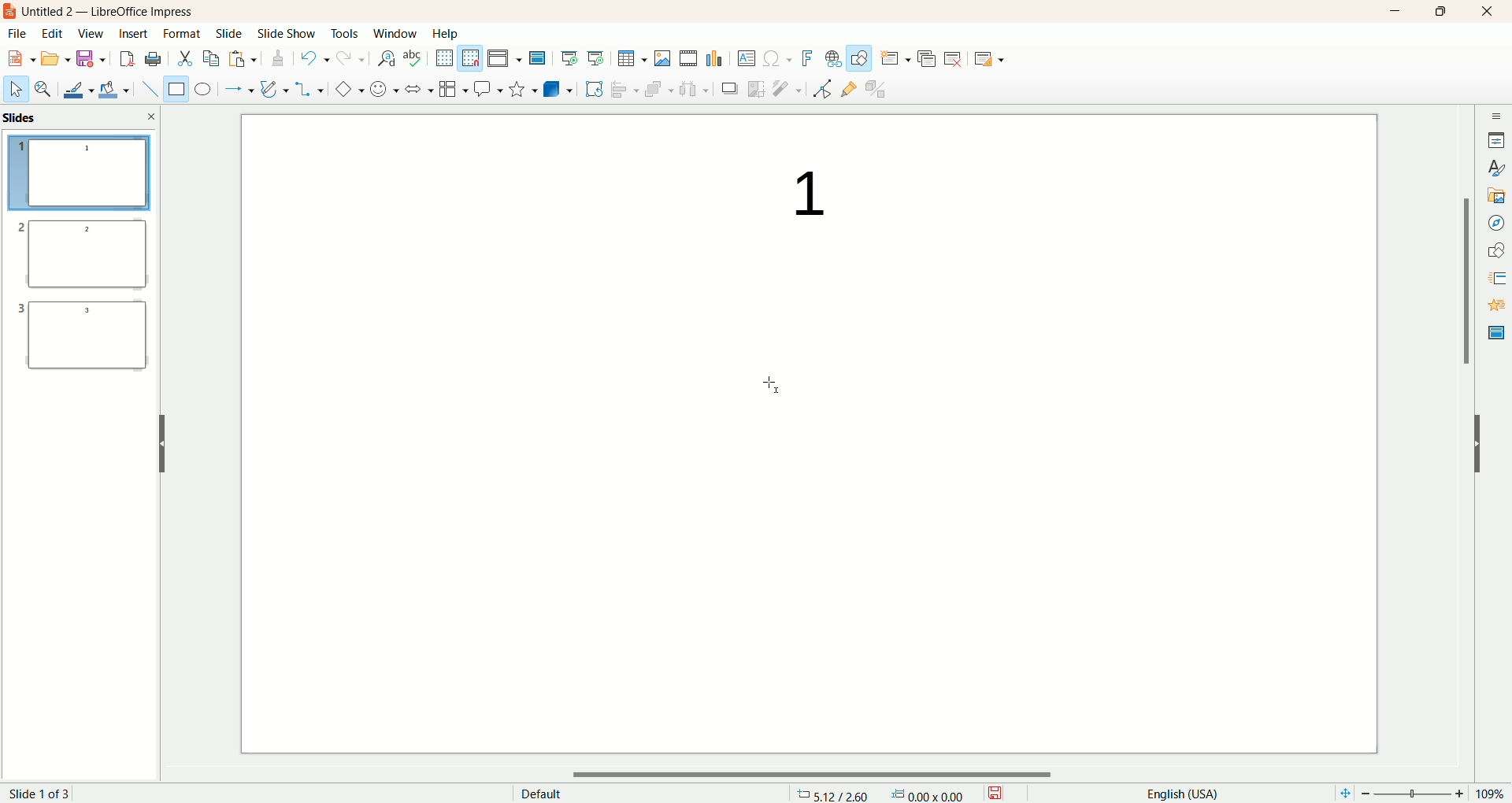  I want to click on fill color, so click(113, 89).